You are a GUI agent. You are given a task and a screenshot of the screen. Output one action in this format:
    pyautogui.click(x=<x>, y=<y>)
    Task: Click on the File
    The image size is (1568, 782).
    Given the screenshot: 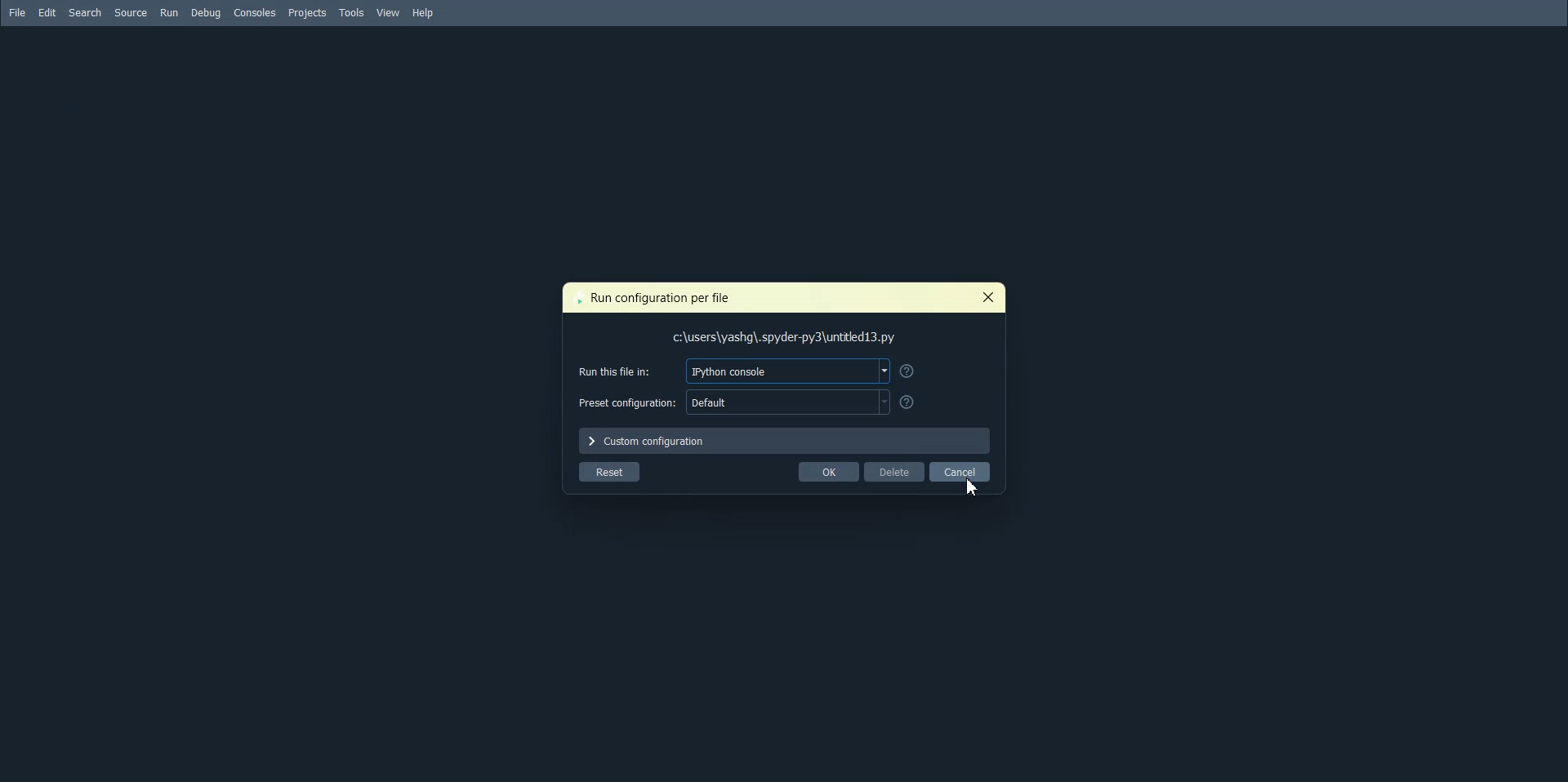 What is the action you would take?
    pyautogui.click(x=17, y=11)
    